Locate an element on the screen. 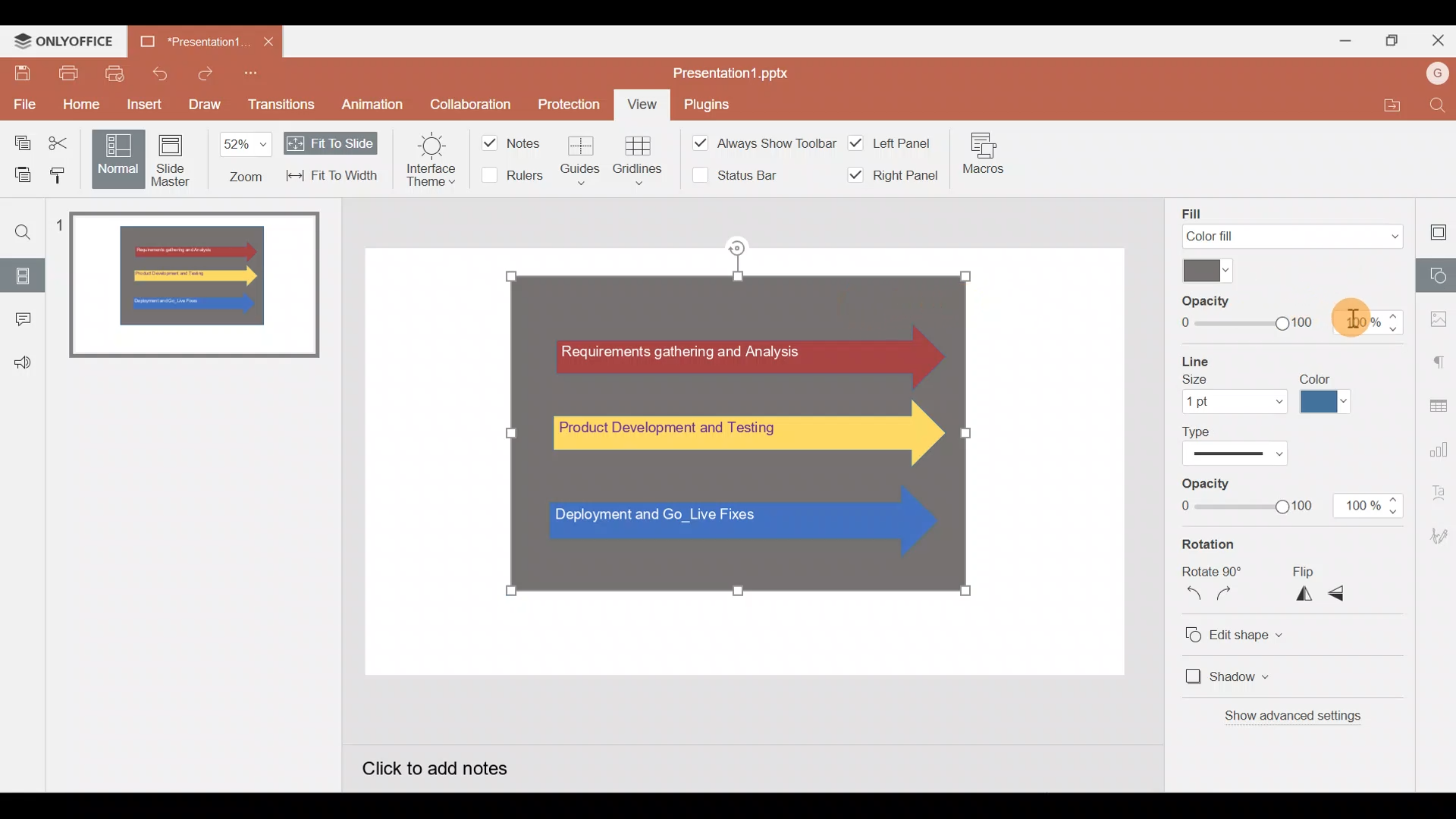  View is located at coordinates (643, 105).